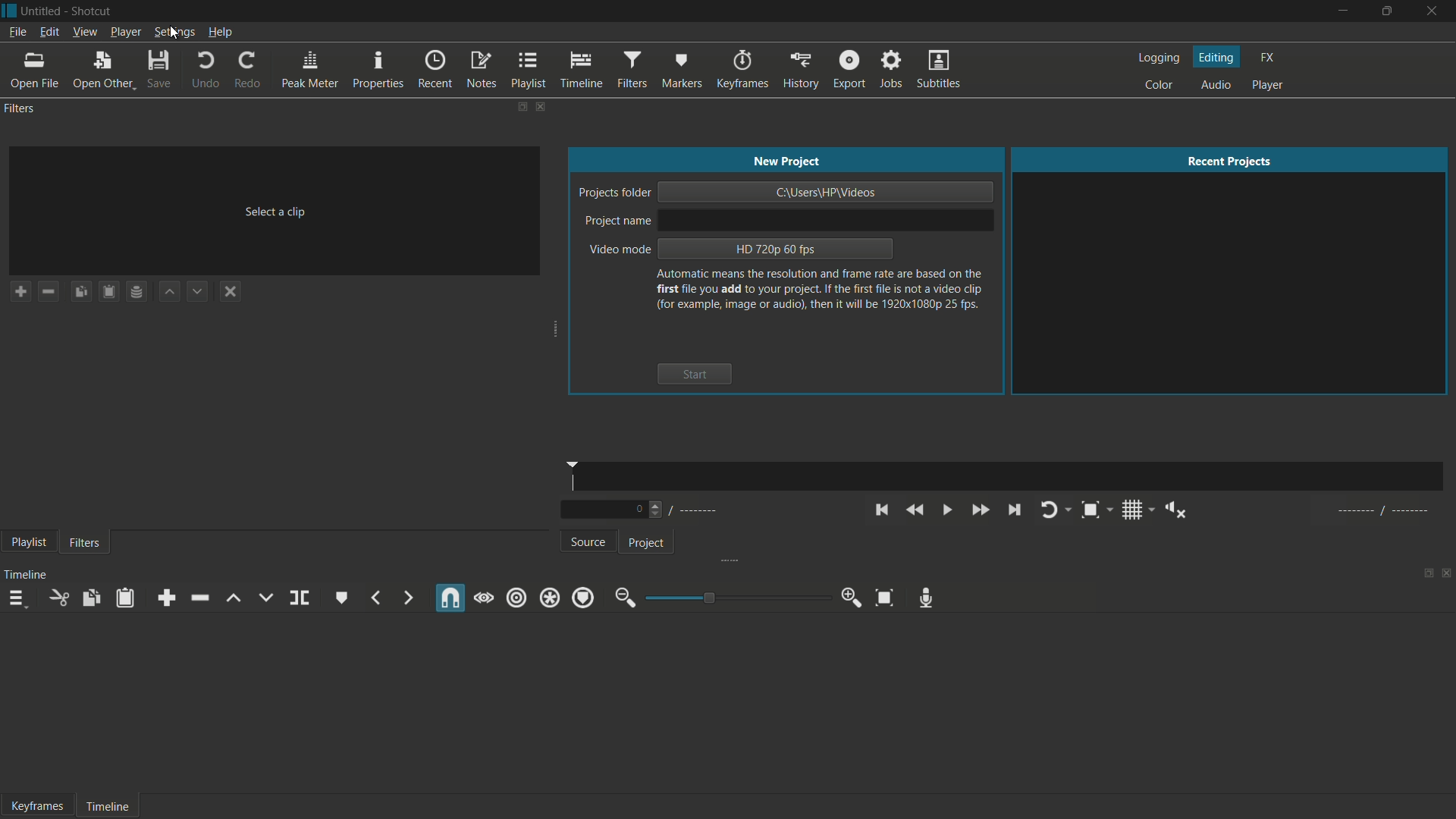  What do you see at coordinates (980, 510) in the screenshot?
I see `quickly play forward` at bounding box center [980, 510].